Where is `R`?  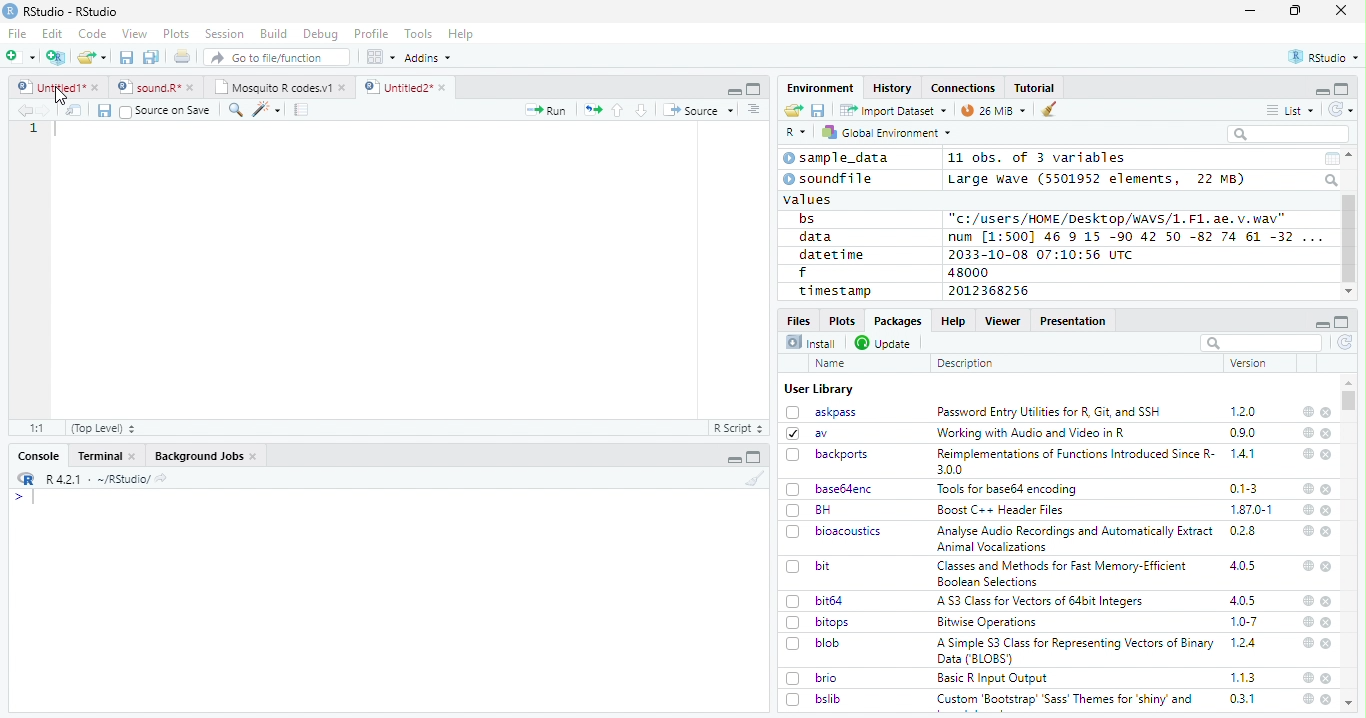 R is located at coordinates (796, 133).